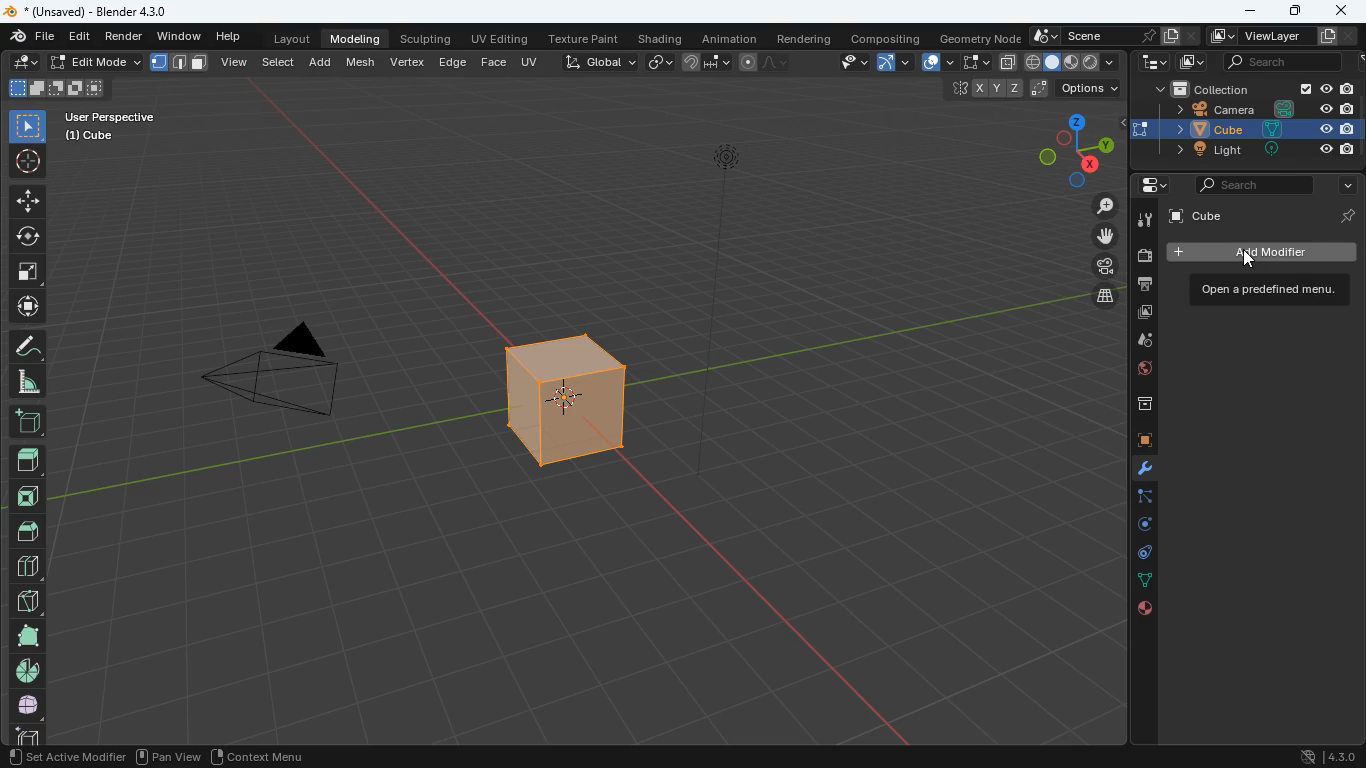 The height and width of the screenshot is (768, 1366). Describe the element at coordinates (280, 65) in the screenshot. I see `select` at that location.